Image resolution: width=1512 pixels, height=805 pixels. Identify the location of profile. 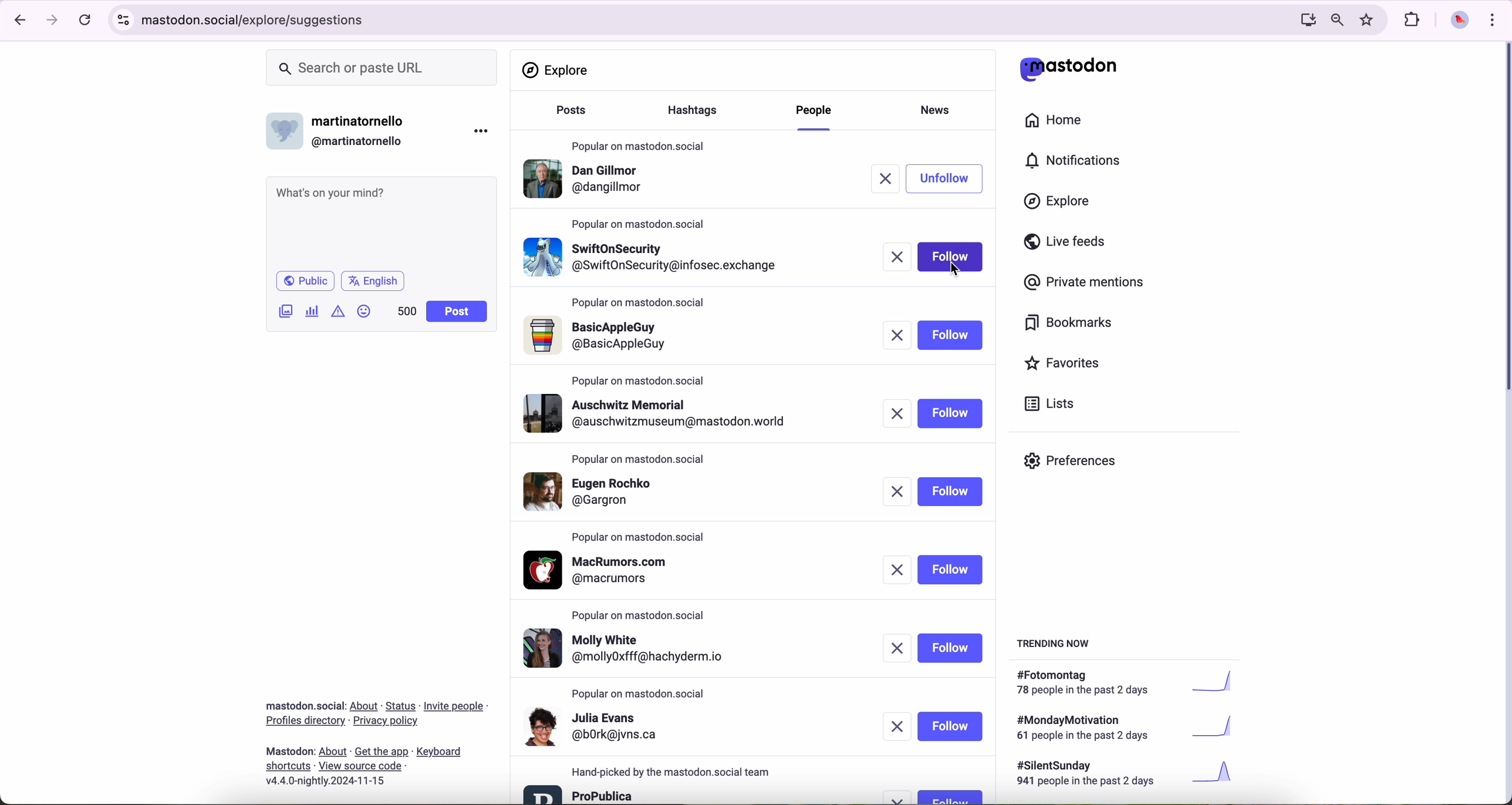
(588, 181).